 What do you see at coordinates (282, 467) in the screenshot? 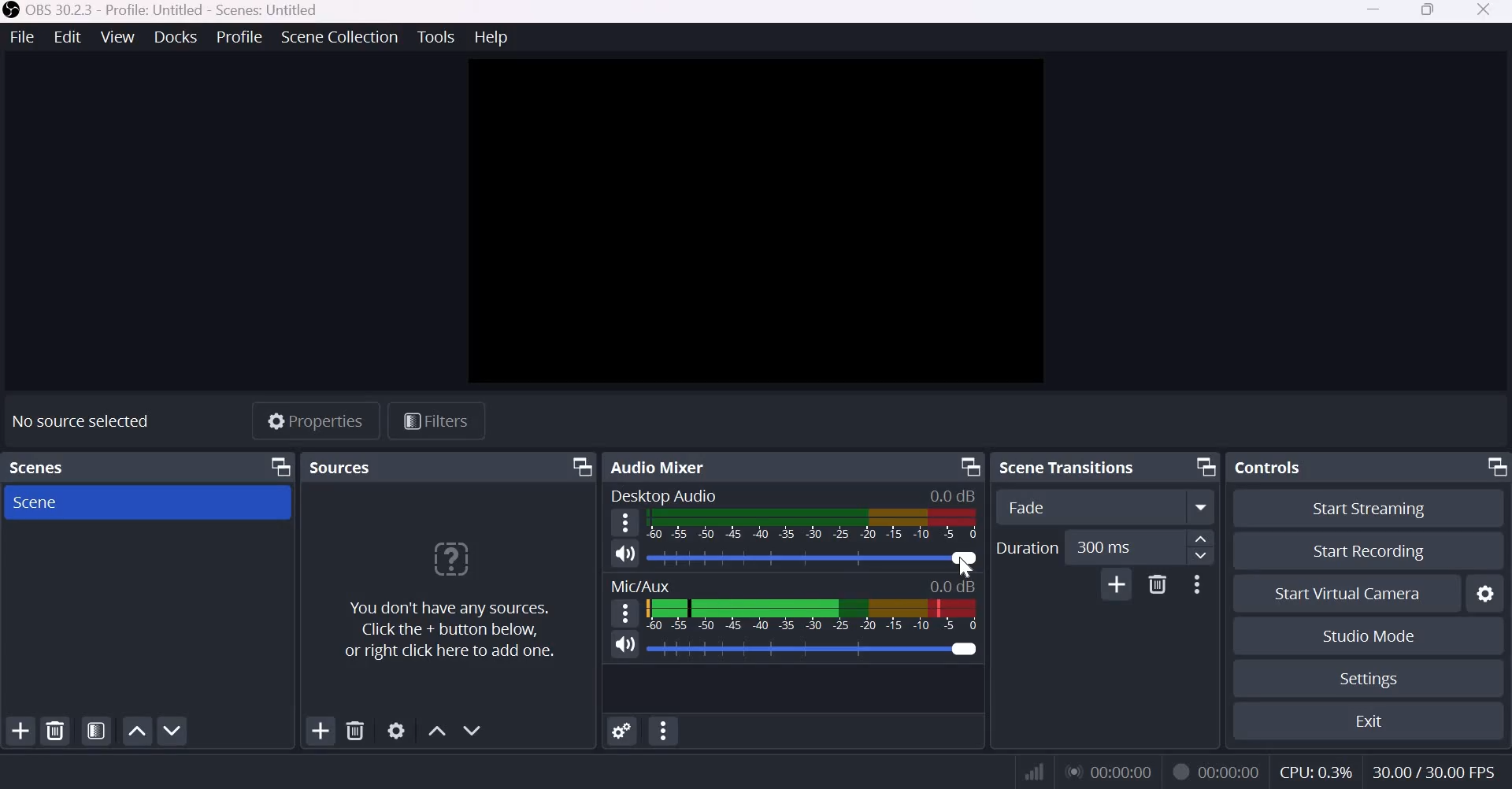
I see `Dock Options icon` at bounding box center [282, 467].